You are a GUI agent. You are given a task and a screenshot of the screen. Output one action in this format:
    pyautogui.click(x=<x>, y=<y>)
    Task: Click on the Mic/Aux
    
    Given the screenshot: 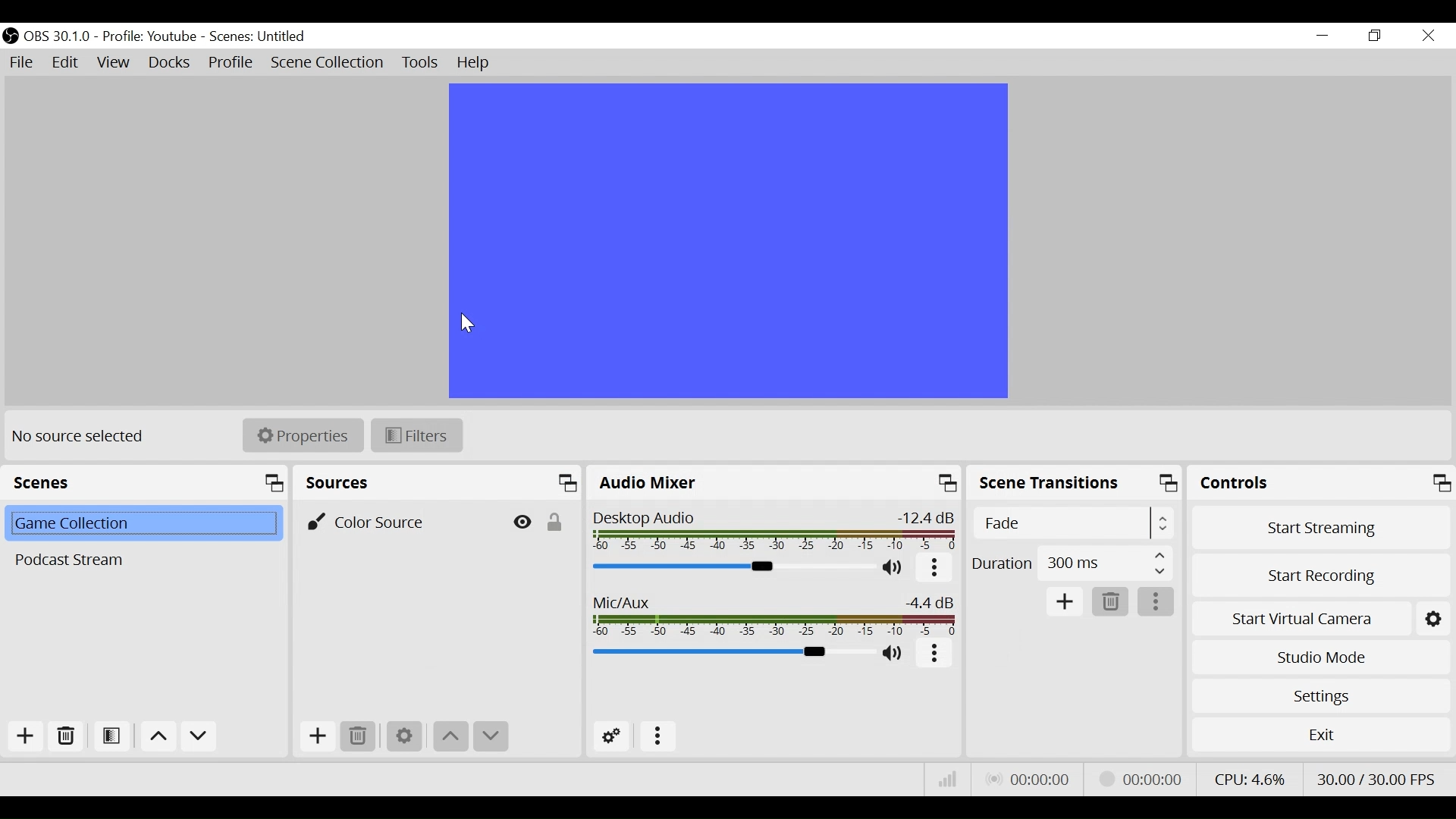 What is the action you would take?
    pyautogui.click(x=775, y=613)
    